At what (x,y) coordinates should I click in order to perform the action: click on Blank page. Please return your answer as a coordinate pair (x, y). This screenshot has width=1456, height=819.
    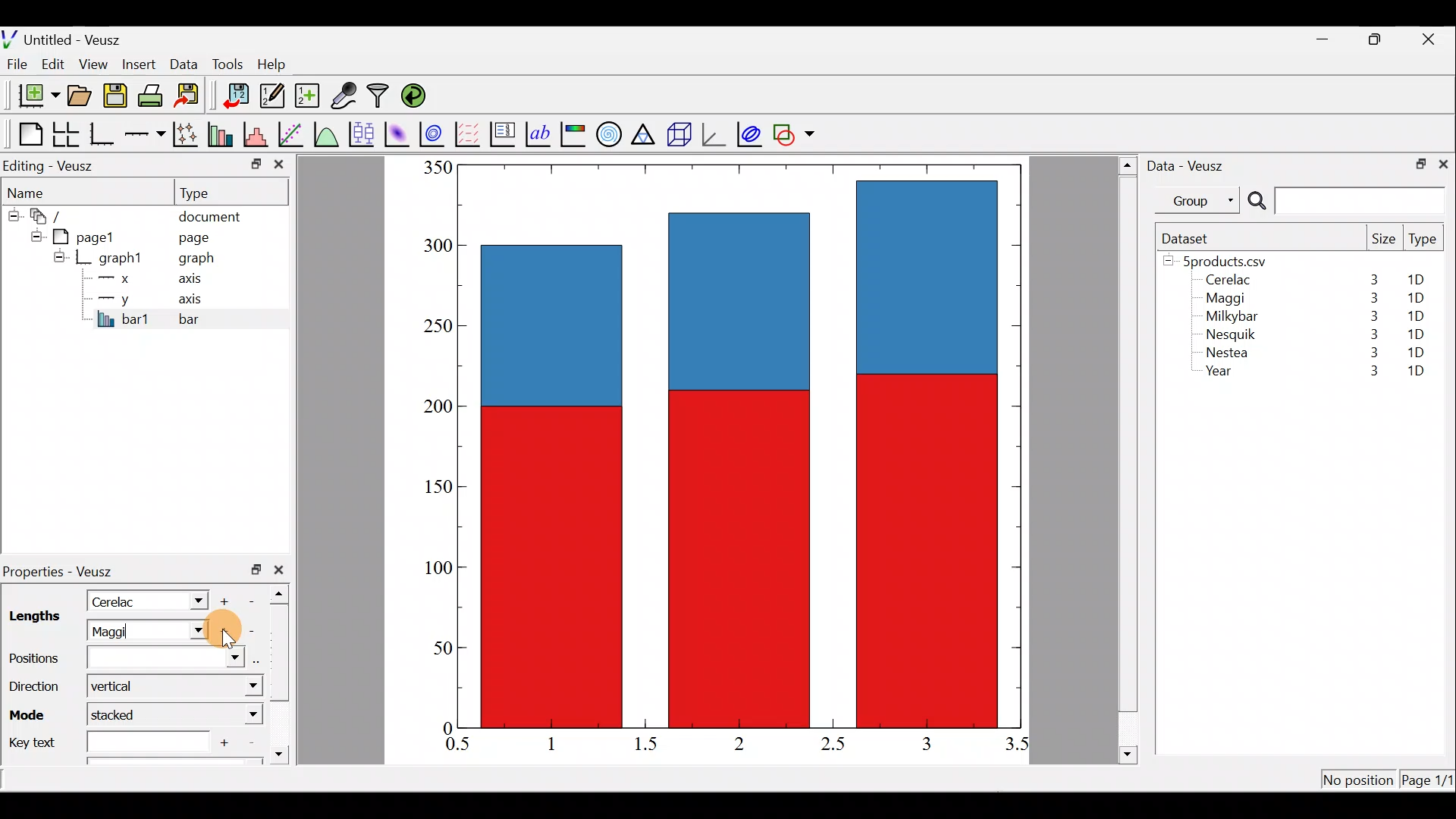
    Looking at the image, I should click on (27, 134).